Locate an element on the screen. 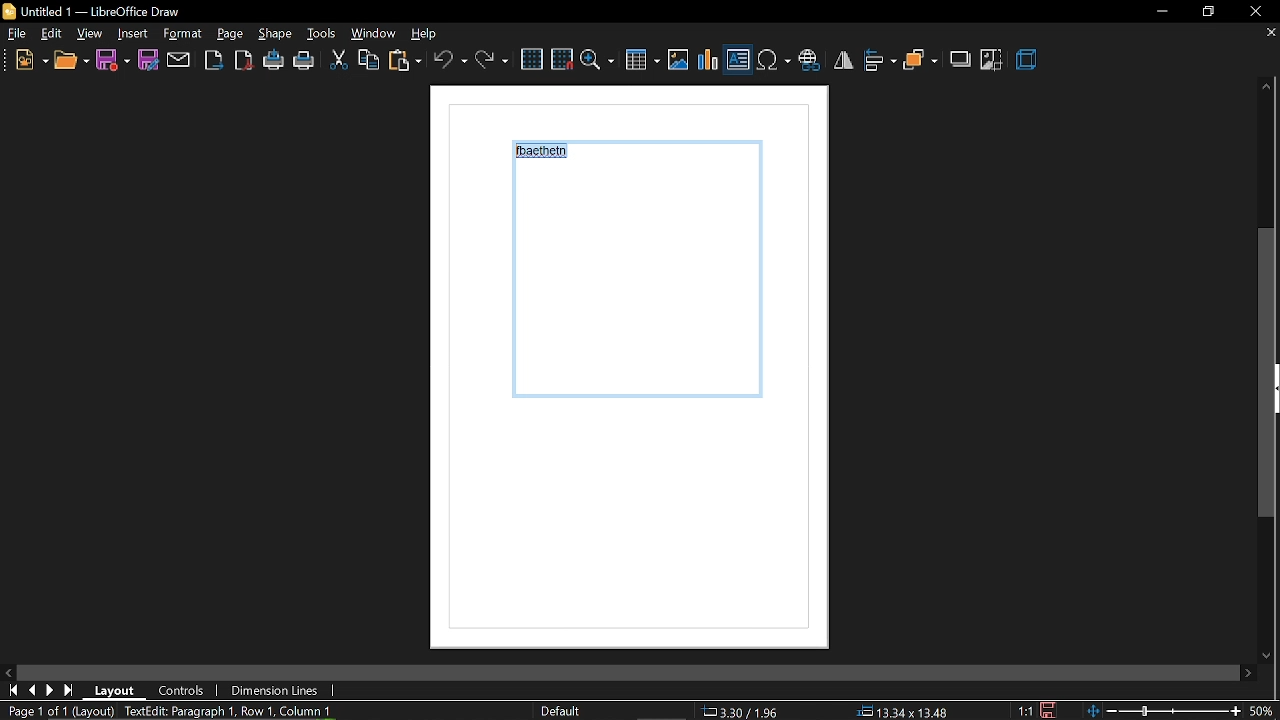 This screenshot has height=720, width=1280. flip is located at coordinates (843, 60).